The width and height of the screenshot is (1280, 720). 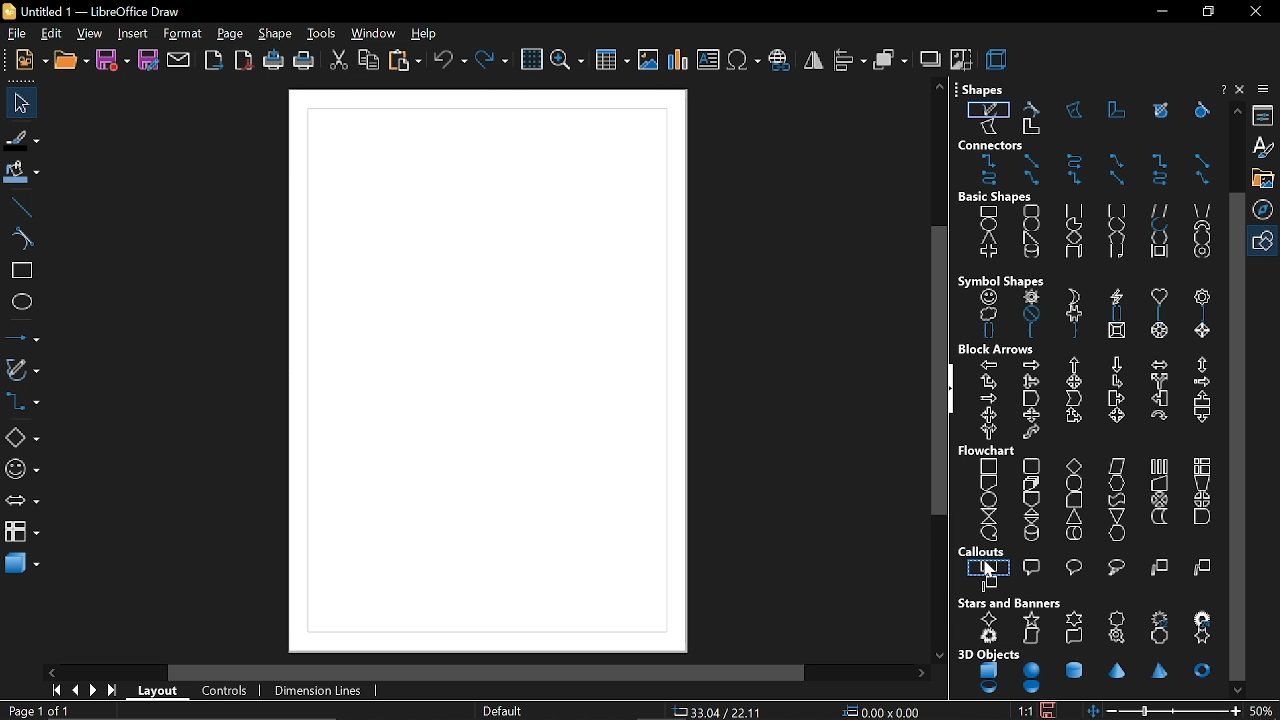 What do you see at coordinates (1158, 317) in the screenshot?
I see `left bracket` at bounding box center [1158, 317].